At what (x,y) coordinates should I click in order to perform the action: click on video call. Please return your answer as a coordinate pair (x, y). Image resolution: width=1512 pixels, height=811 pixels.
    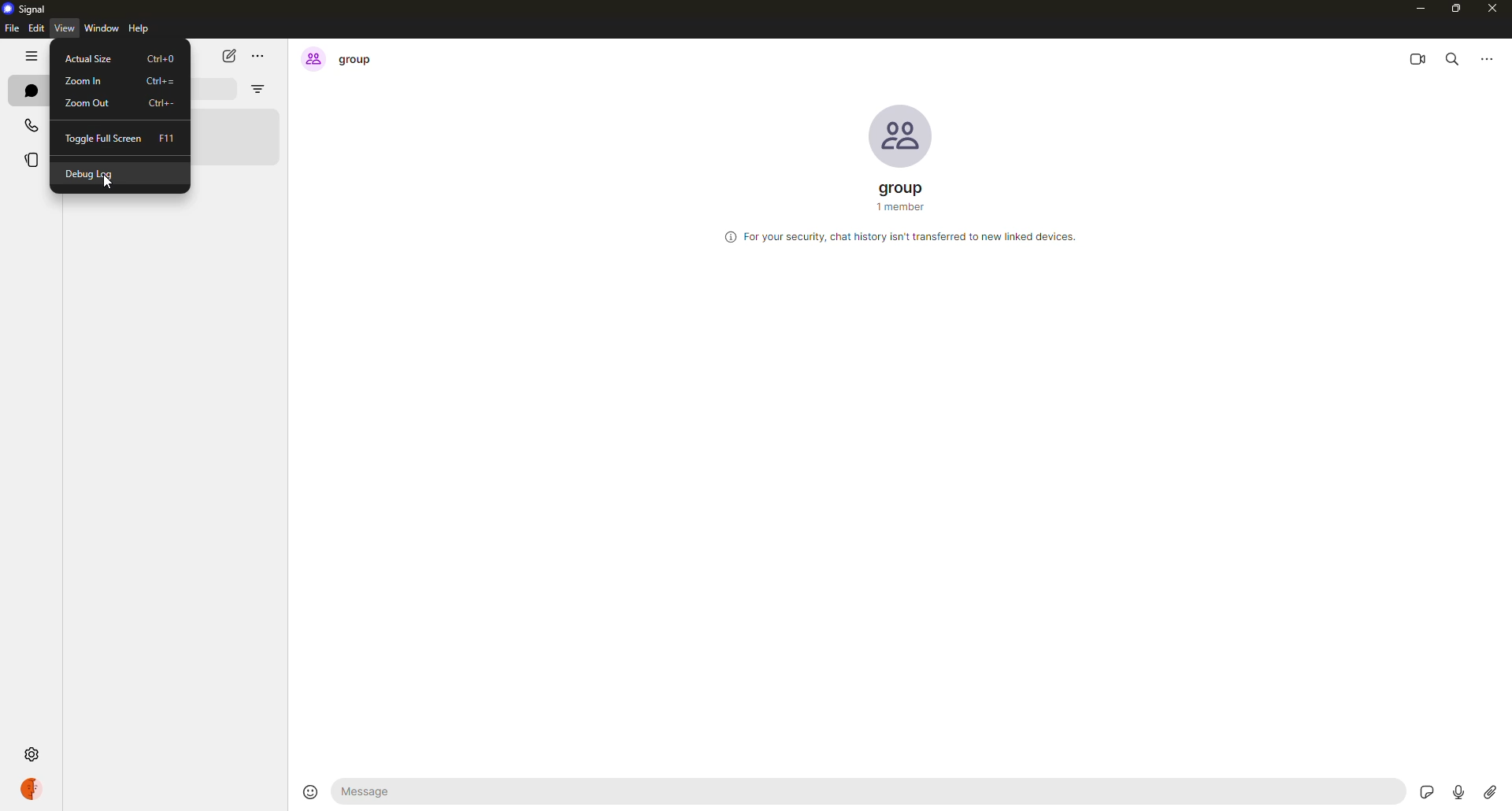
    Looking at the image, I should click on (1420, 56).